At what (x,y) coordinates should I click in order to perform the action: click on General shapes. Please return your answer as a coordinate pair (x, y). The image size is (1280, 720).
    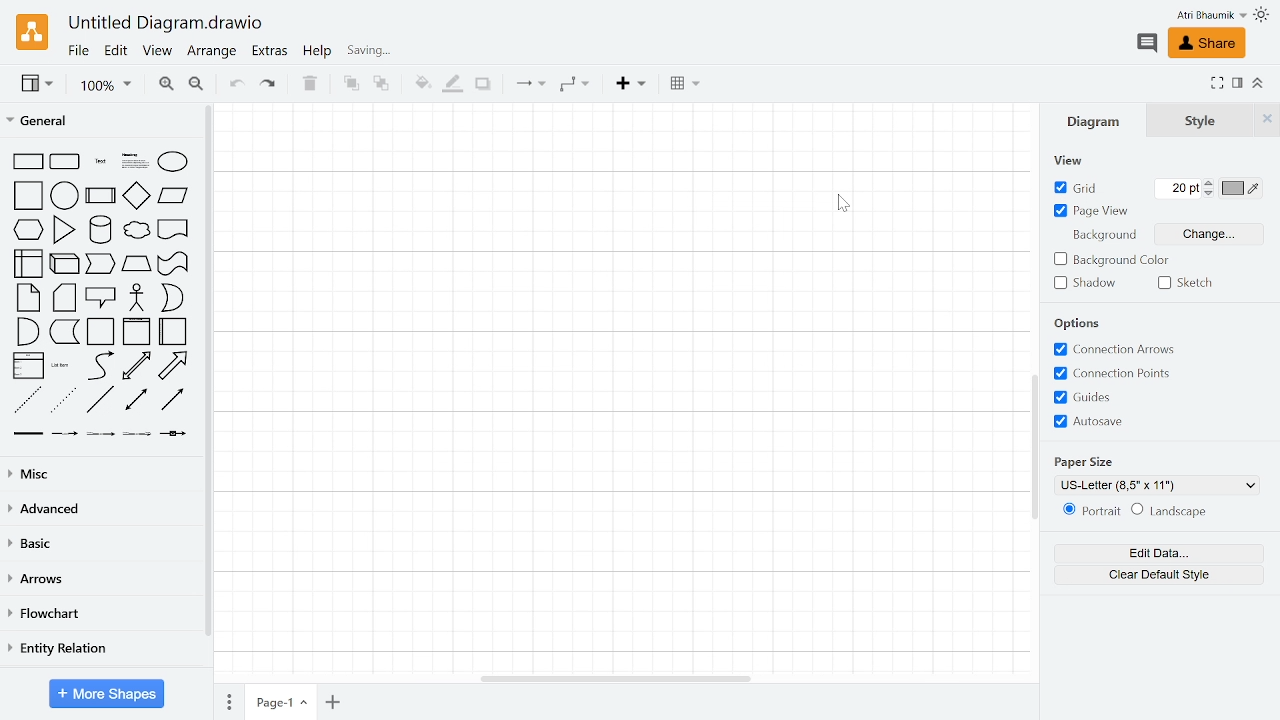
    Looking at the image, I should click on (104, 296).